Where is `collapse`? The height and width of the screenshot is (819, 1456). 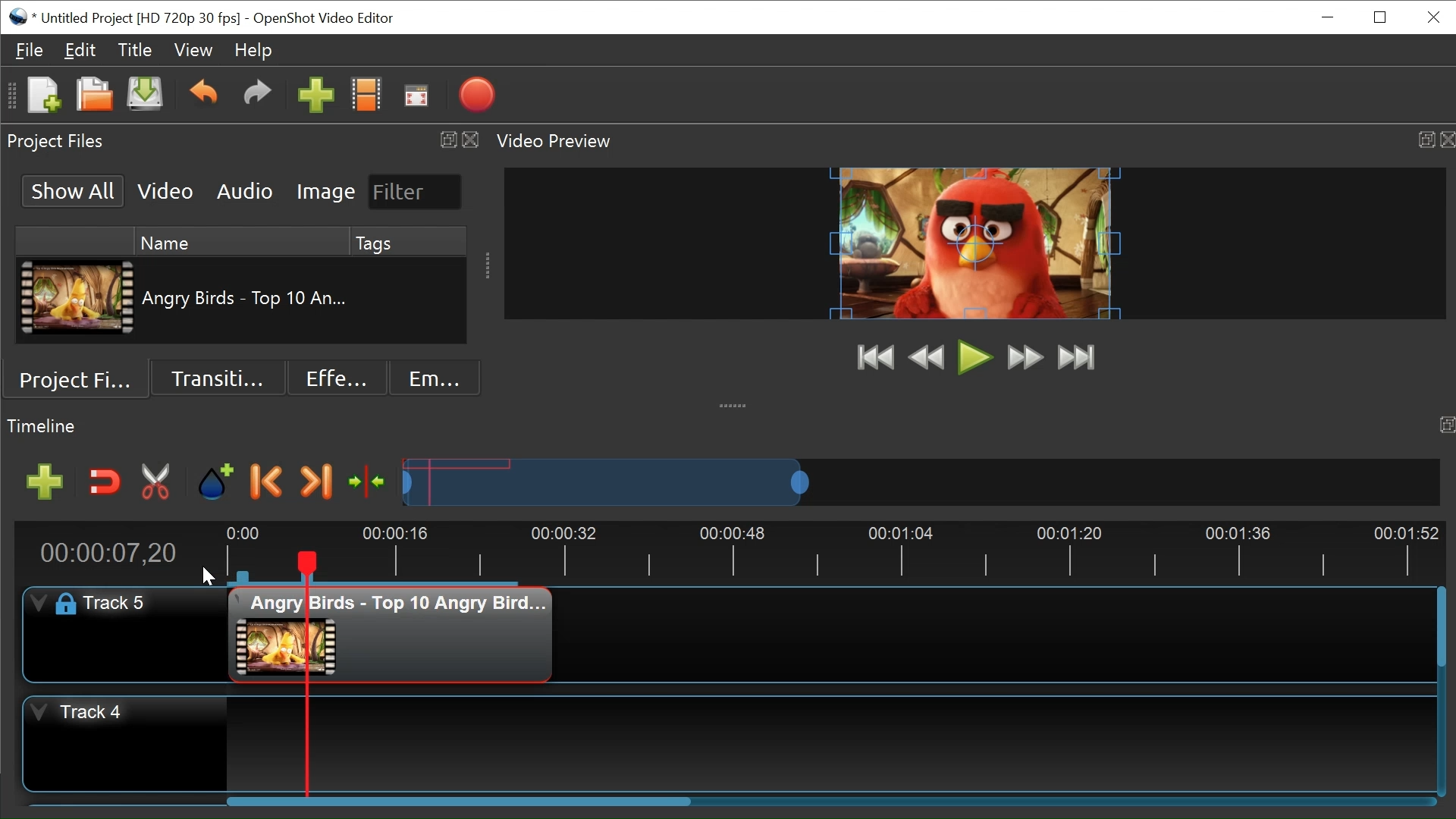
collapse is located at coordinates (738, 402).